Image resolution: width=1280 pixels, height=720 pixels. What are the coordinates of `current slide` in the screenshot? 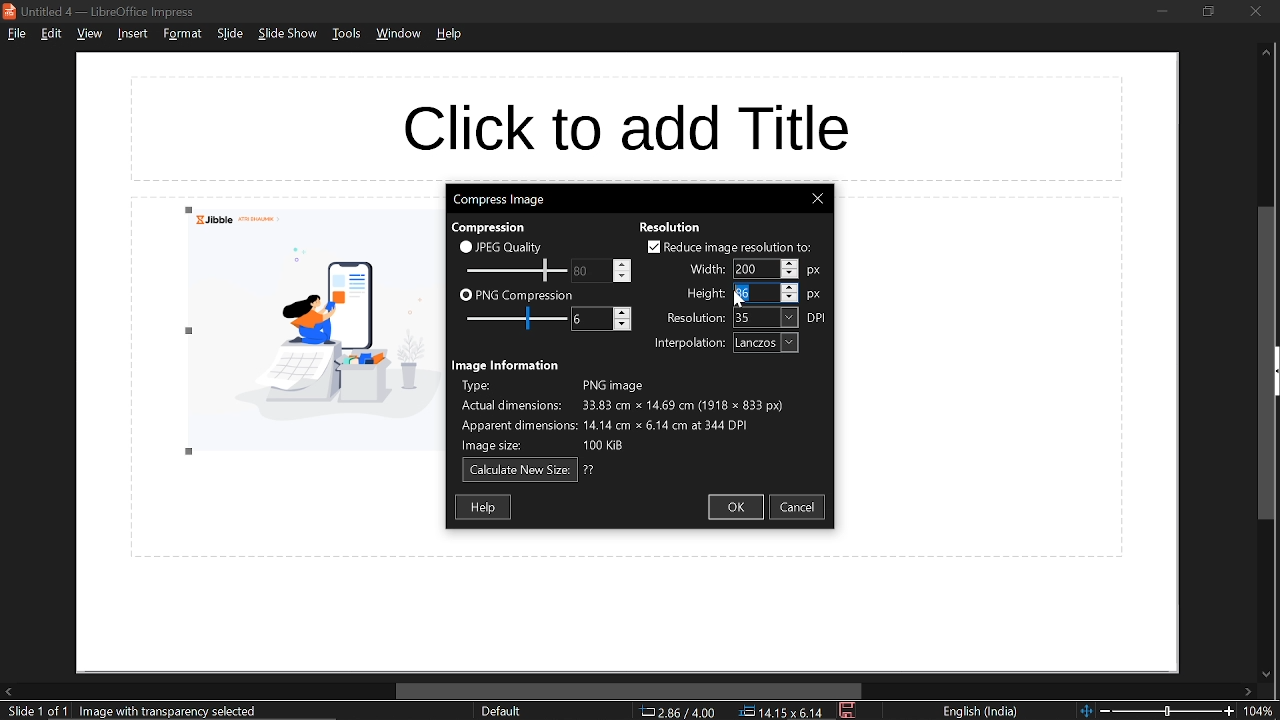 It's located at (34, 712).